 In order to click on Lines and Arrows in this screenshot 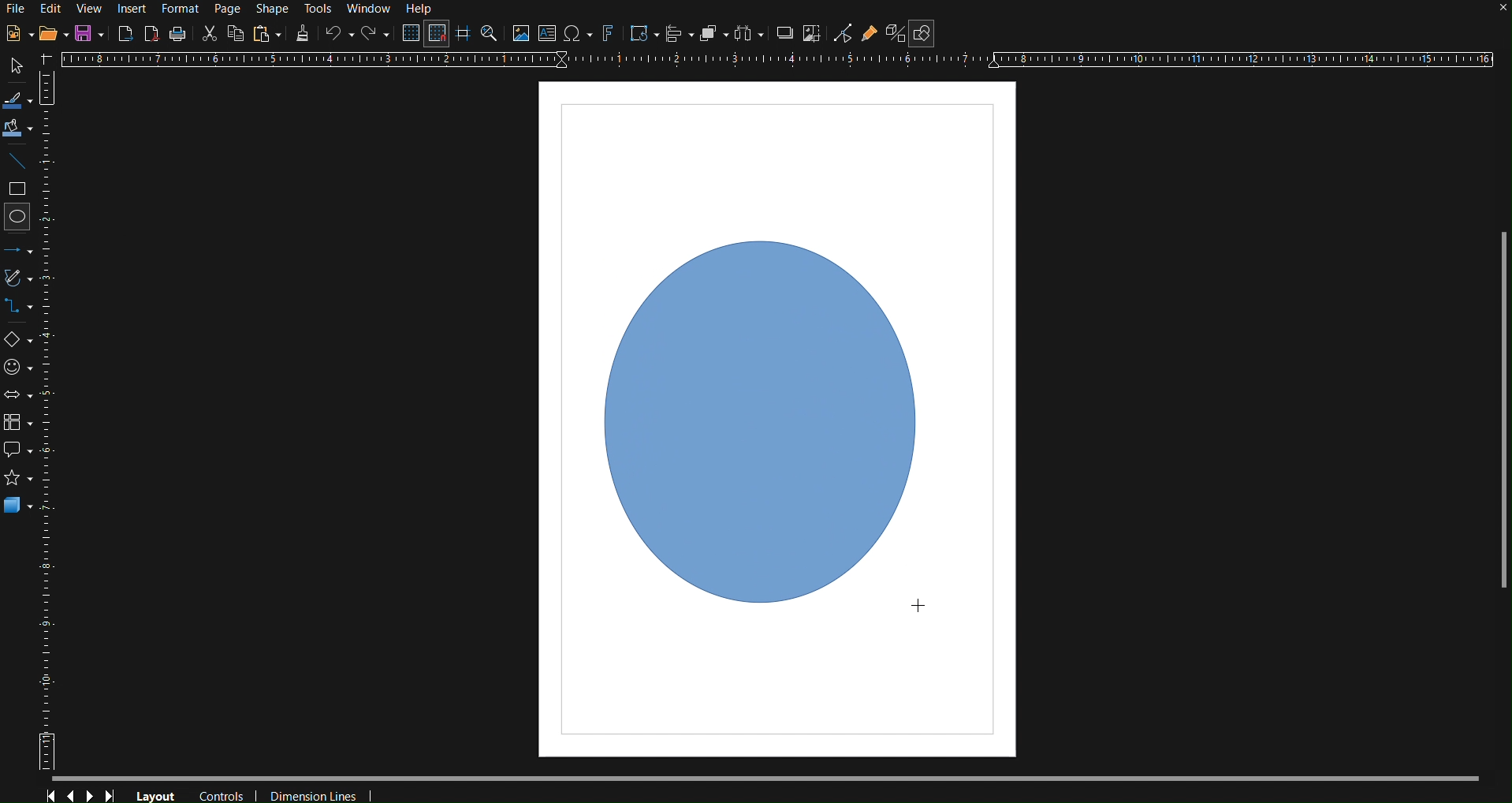, I will do `click(23, 249)`.